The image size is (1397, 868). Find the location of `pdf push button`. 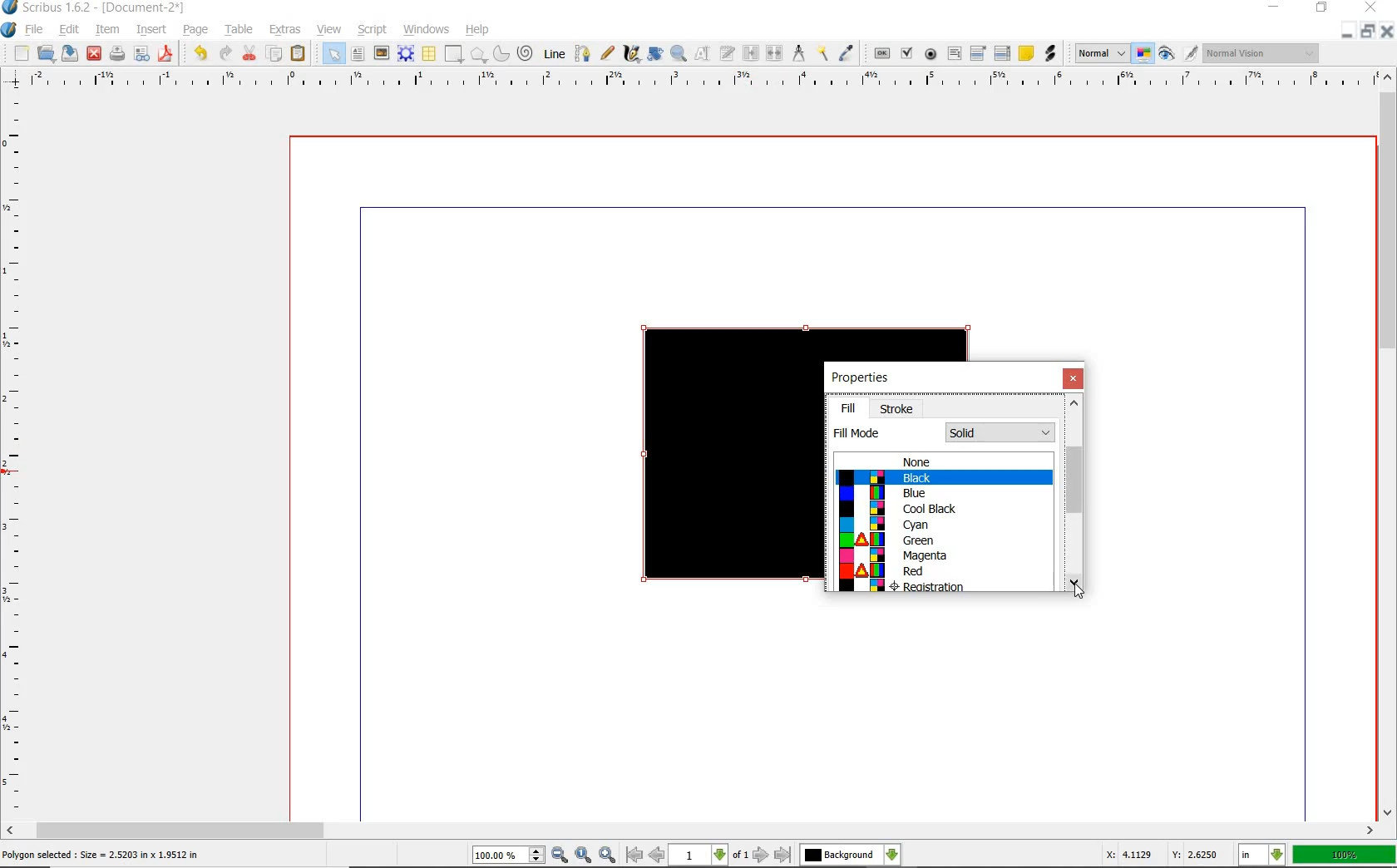

pdf push button is located at coordinates (880, 55).